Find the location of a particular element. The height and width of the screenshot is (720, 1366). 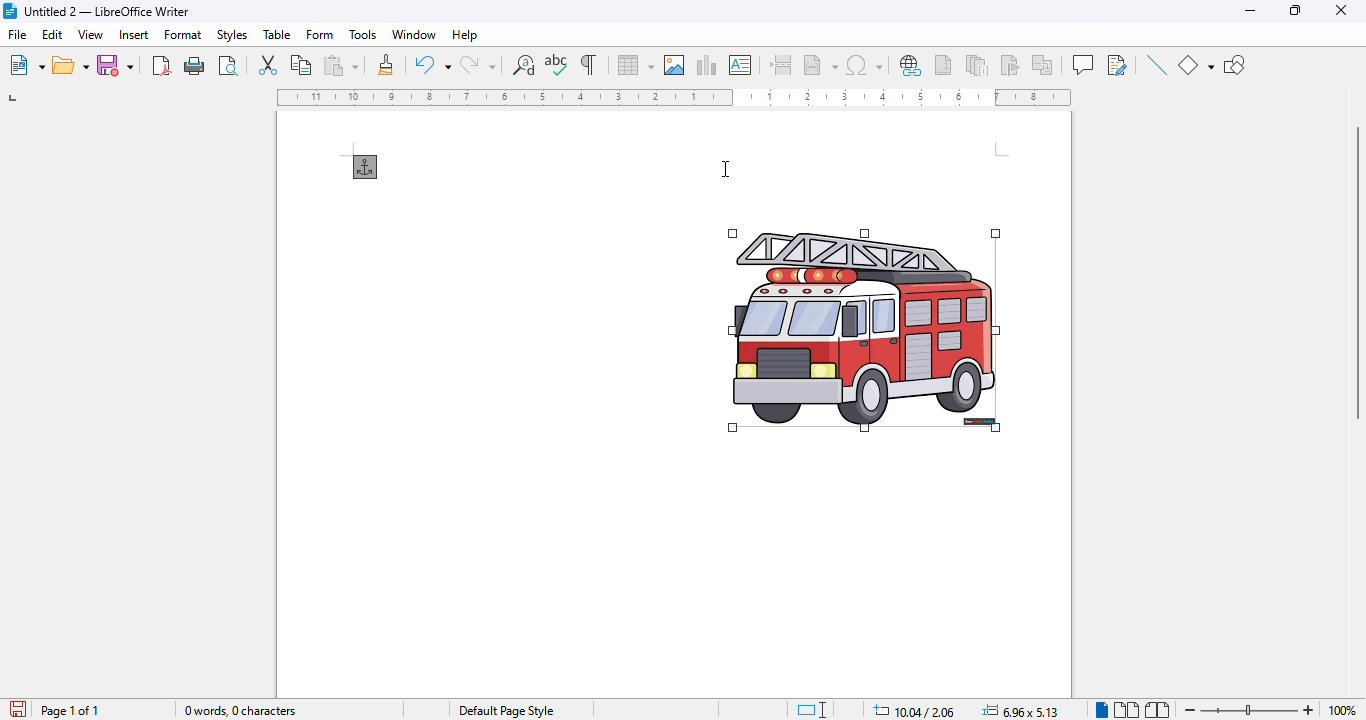

help is located at coordinates (464, 35).